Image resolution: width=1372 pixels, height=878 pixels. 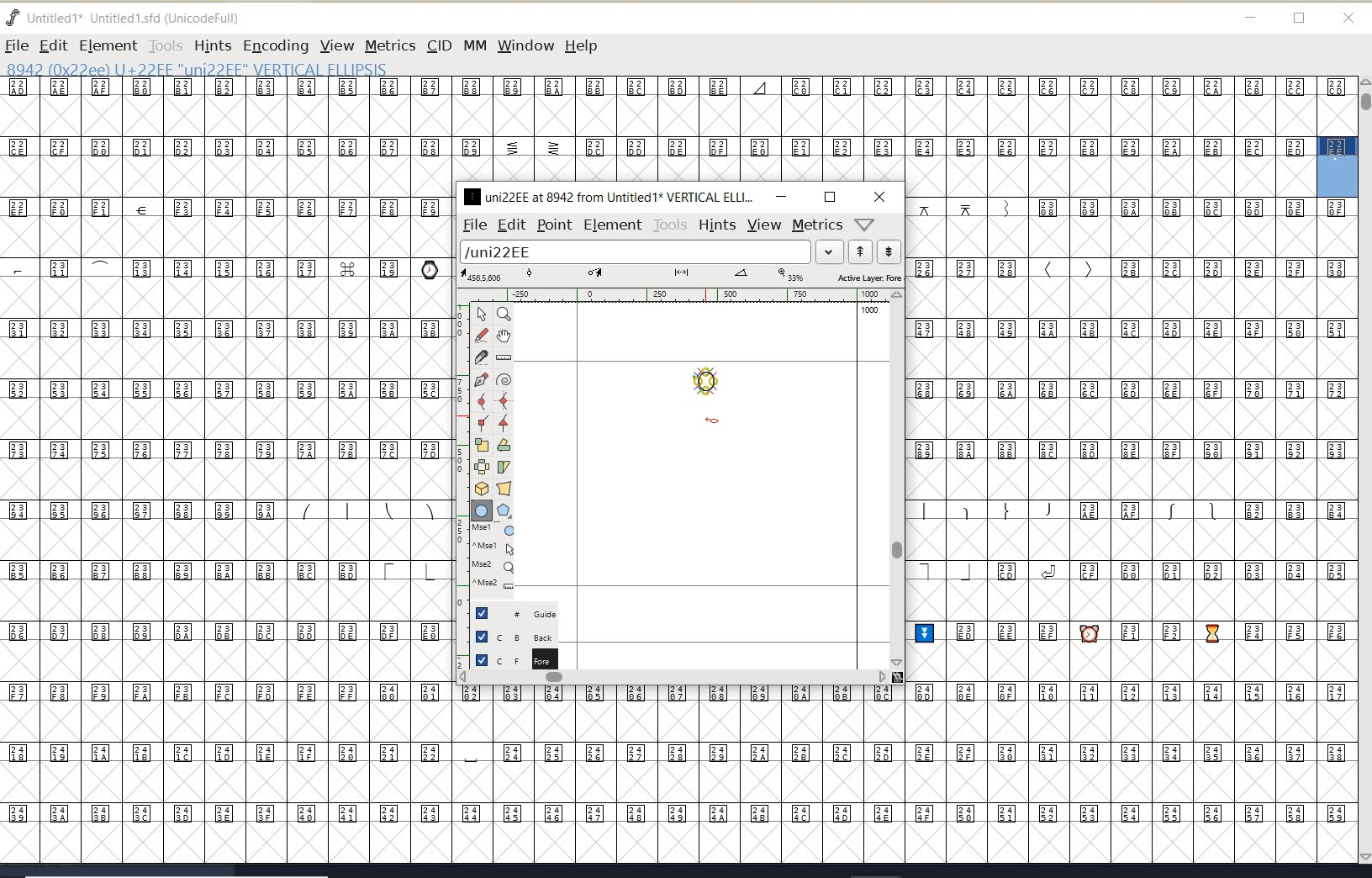 What do you see at coordinates (483, 511) in the screenshot?
I see `rectangle or ellipse` at bounding box center [483, 511].